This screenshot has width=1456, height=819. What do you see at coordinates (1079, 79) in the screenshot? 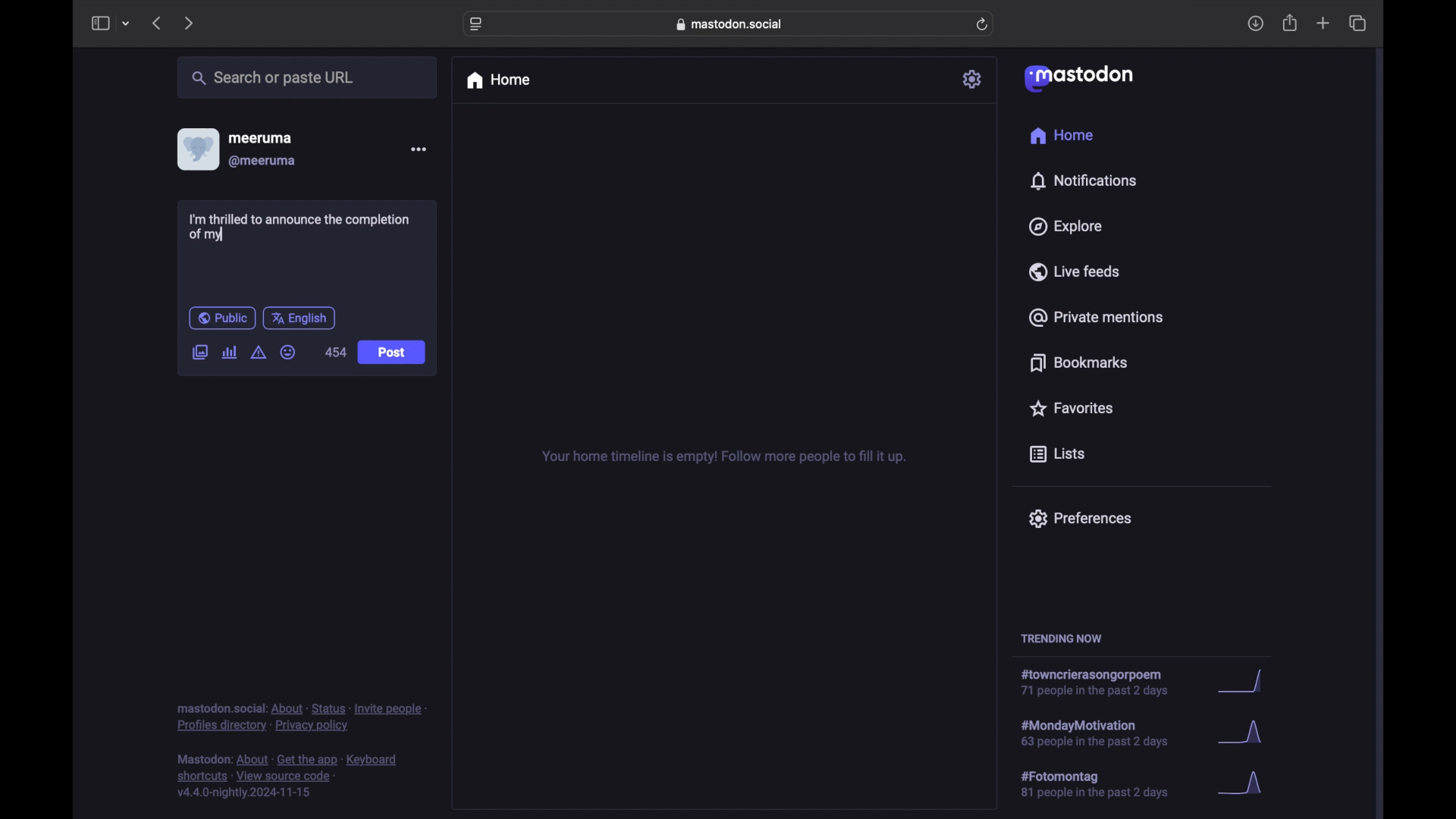
I see `mastodon` at bounding box center [1079, 79].